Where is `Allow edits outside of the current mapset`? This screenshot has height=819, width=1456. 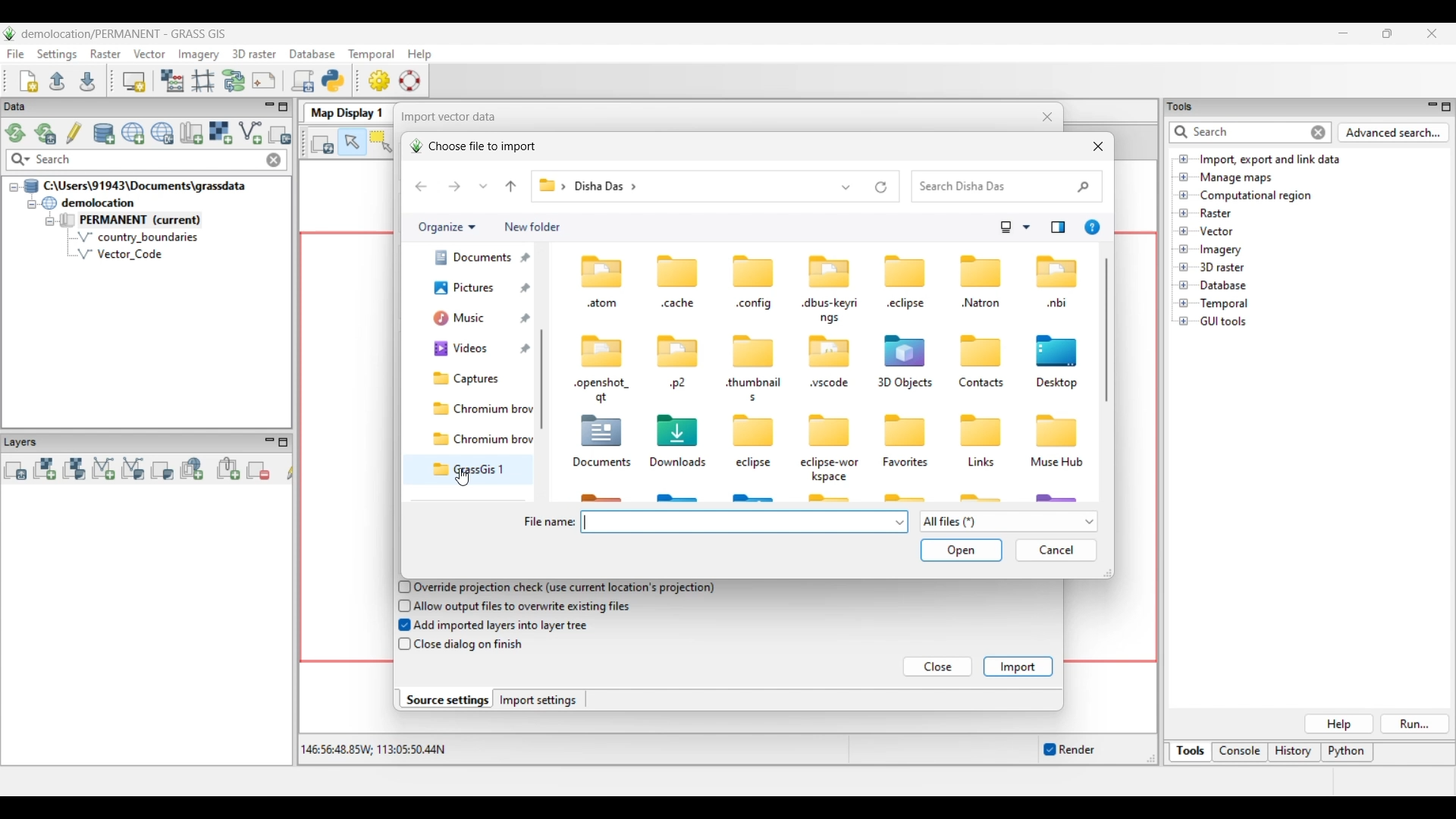 Allow edits outside of the current mapset is located at coordinates (74, 133).